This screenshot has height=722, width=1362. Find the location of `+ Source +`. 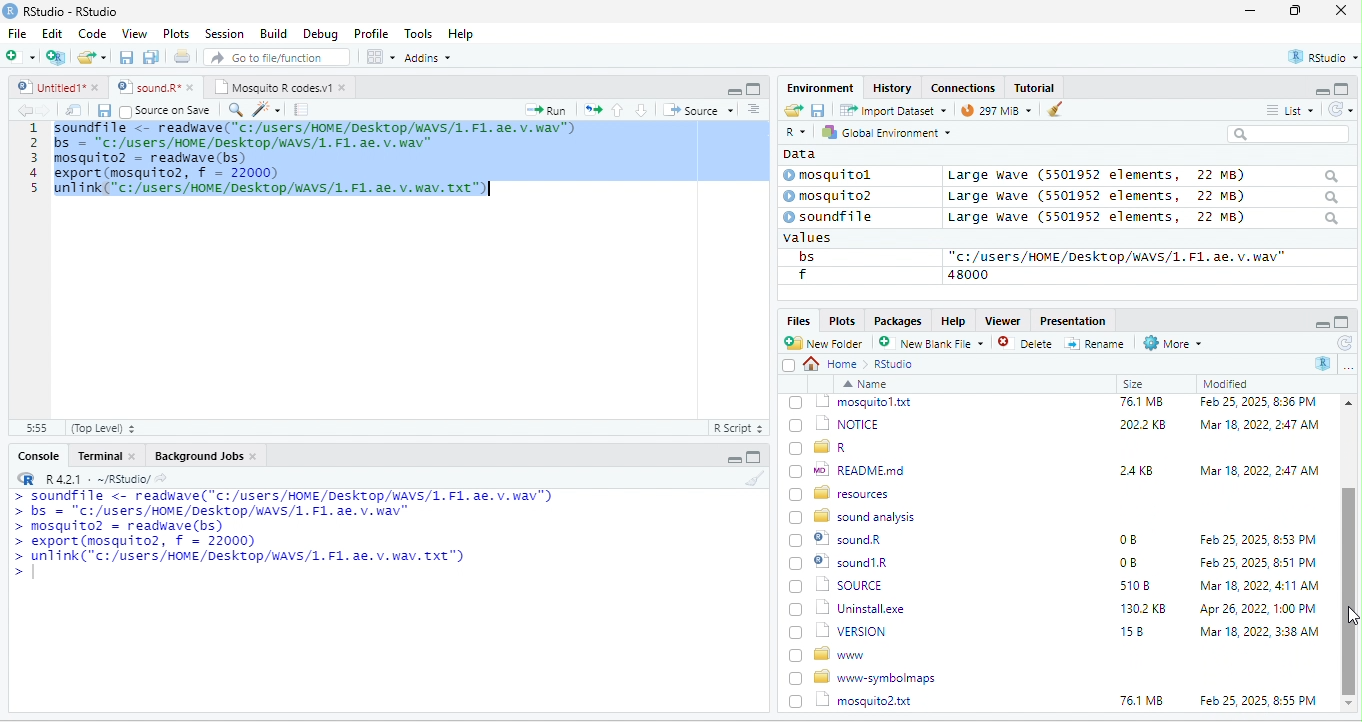

+ Source + is located at coordinates (698, 109).